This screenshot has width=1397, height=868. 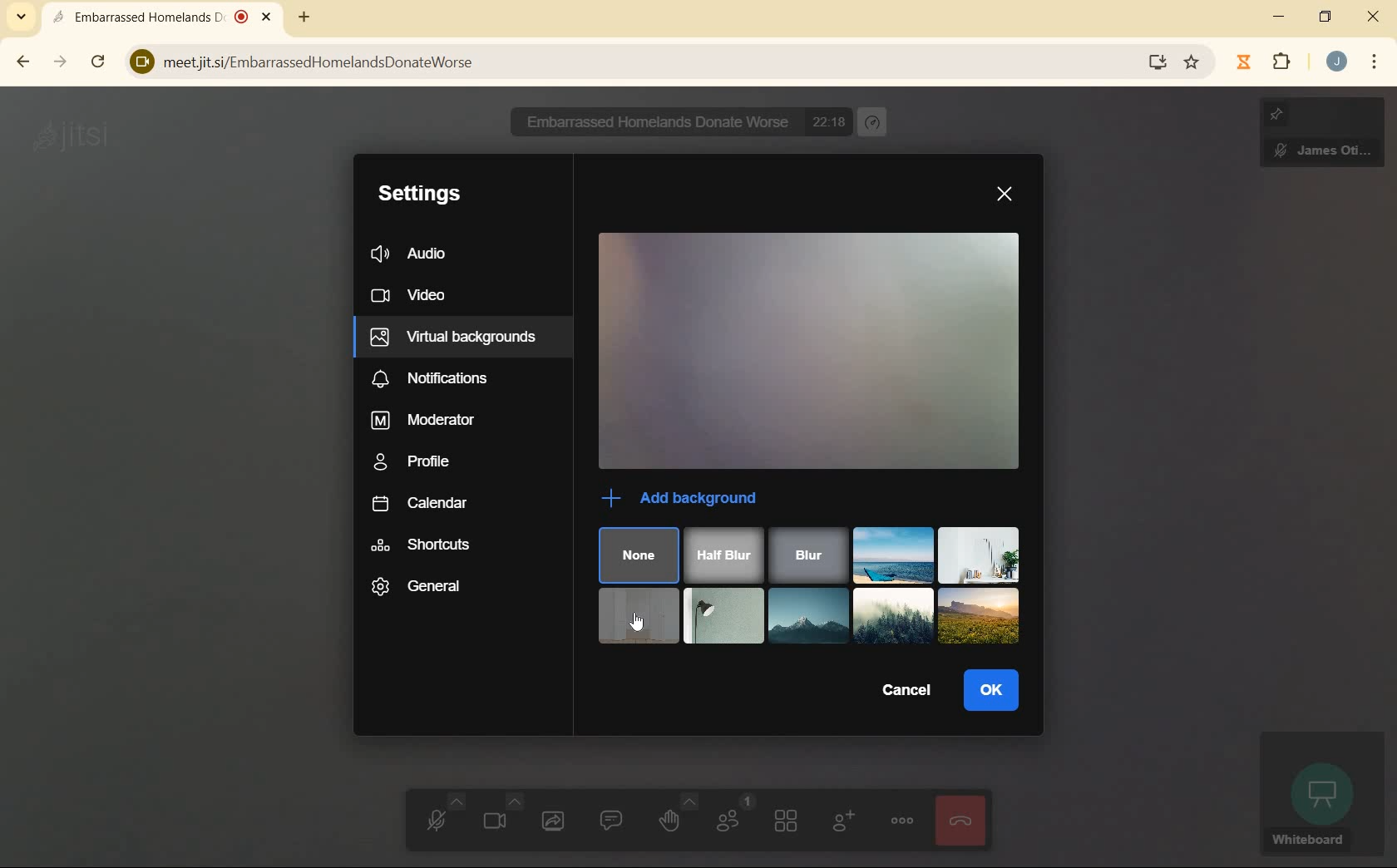 I want to click on video, so click(x=411, y=298).